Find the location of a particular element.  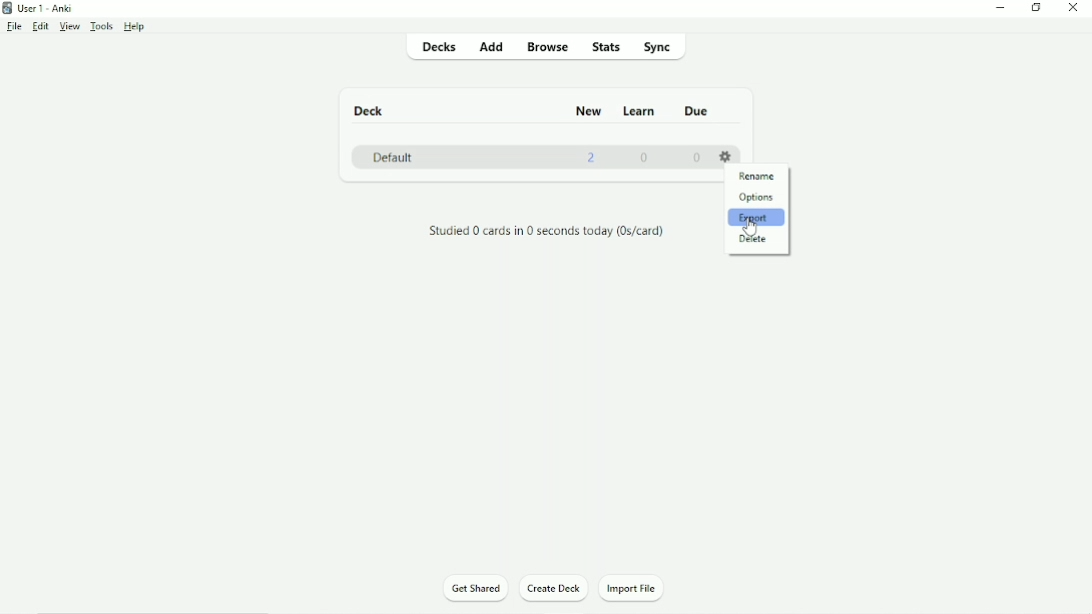

Due is located at coordinates (700, 110).